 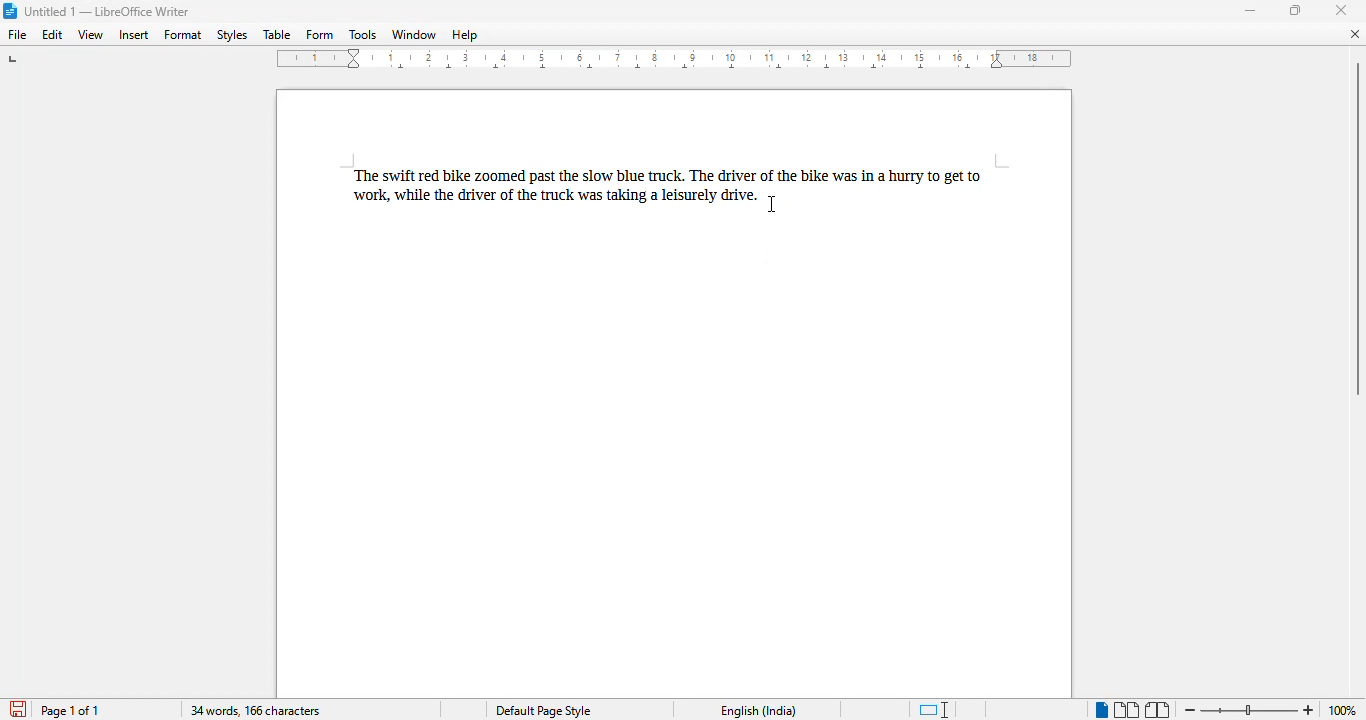 What do you see at coordinates (1341, 10) in the screenshot?
I see `close` at bounding box center [1341, 10].